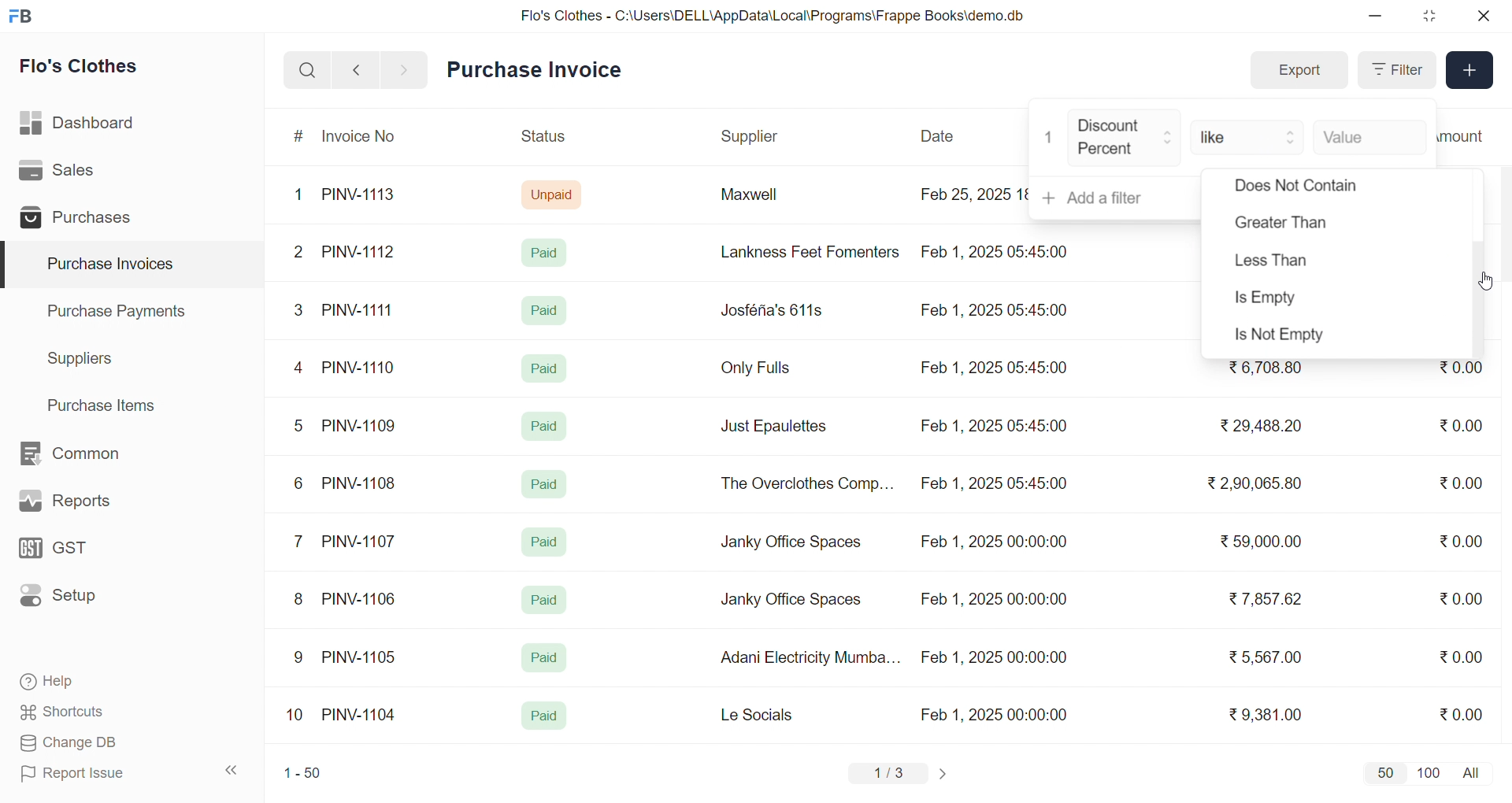 The width and height of the screenshot is (1512, 803). Describe the element at coordinates (1377, 17) in the screenshot. I see `minimize` at that location.